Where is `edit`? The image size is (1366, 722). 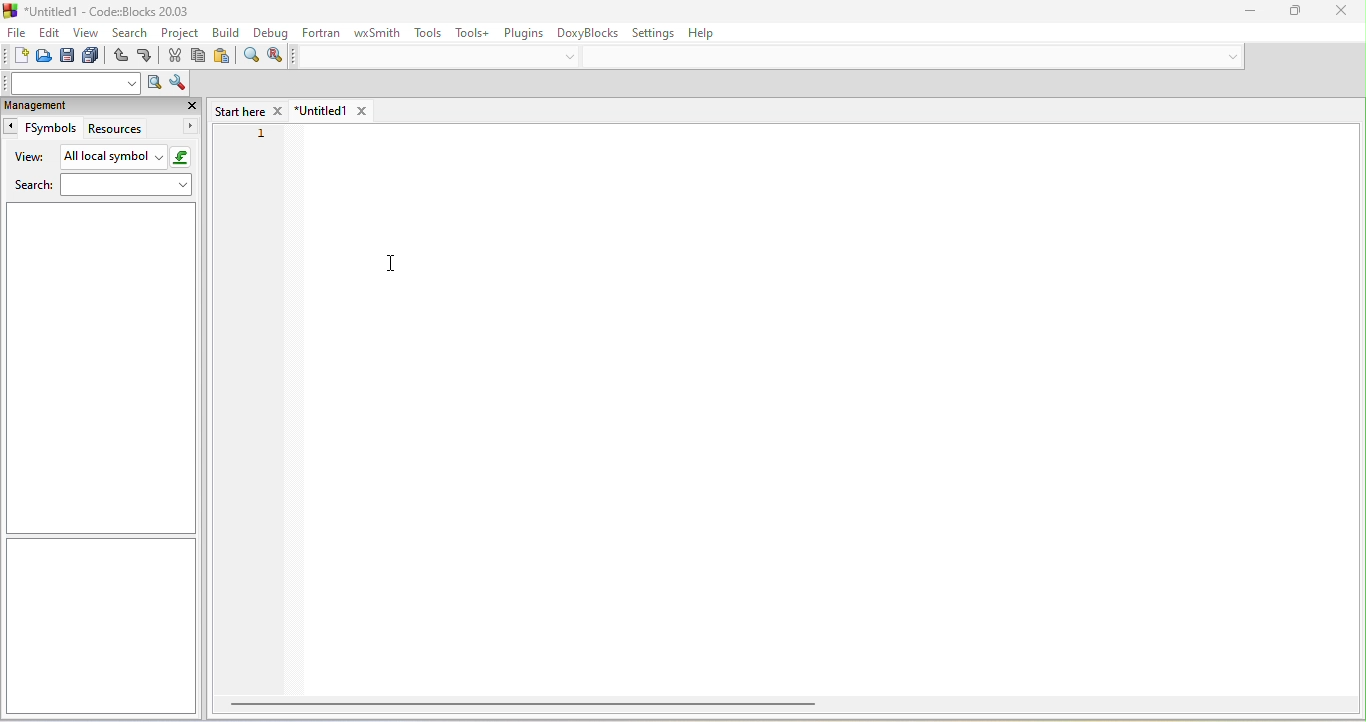
edit is located at coordinates (50, 32).